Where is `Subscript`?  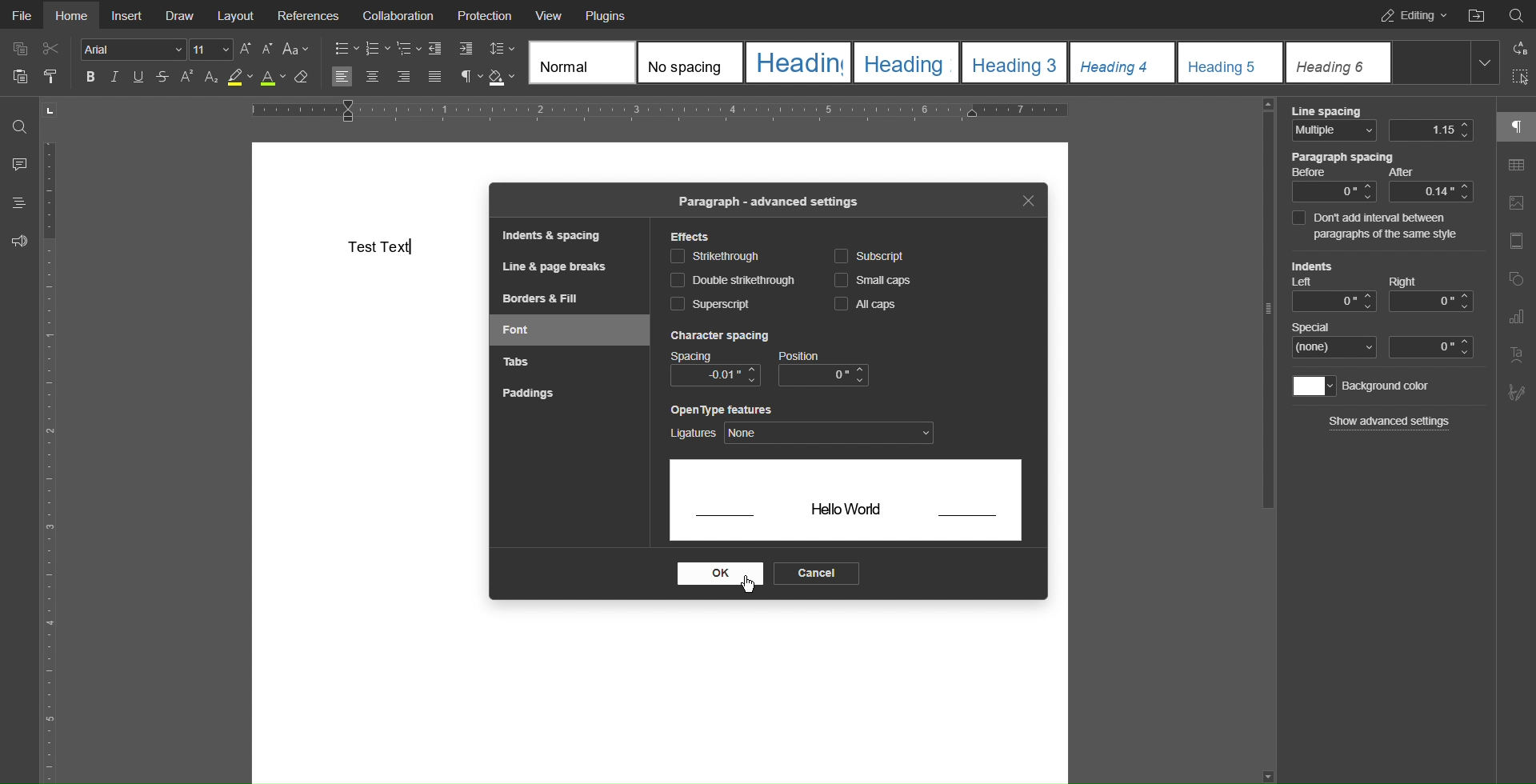
Subscript is located at coordinates (870, 256).